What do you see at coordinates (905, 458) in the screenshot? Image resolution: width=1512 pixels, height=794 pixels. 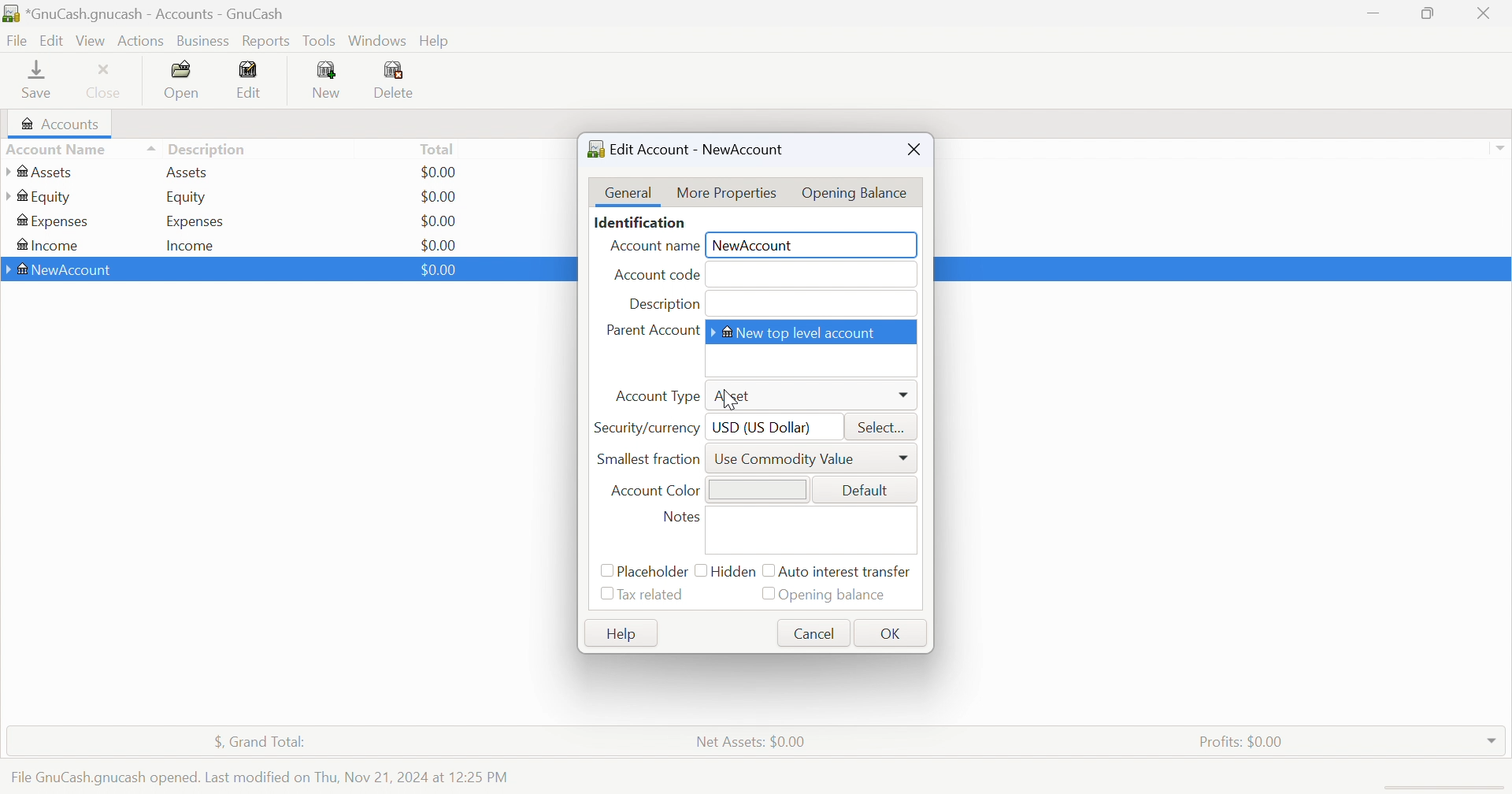 I see `Drop Down` at bounding box center [905, 458].